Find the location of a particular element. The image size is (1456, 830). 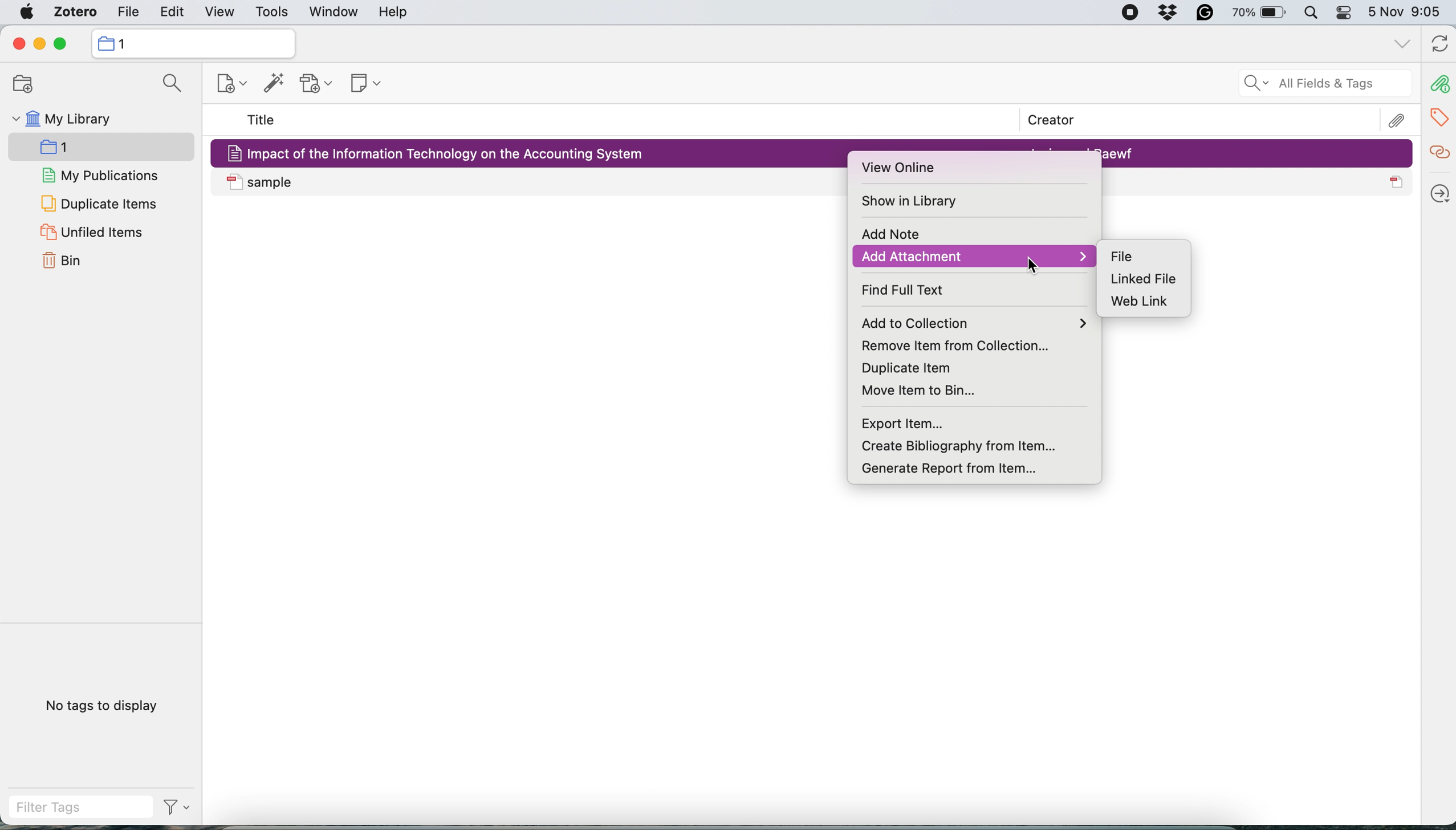

spotlight search is located at coordinates (1311, 14).